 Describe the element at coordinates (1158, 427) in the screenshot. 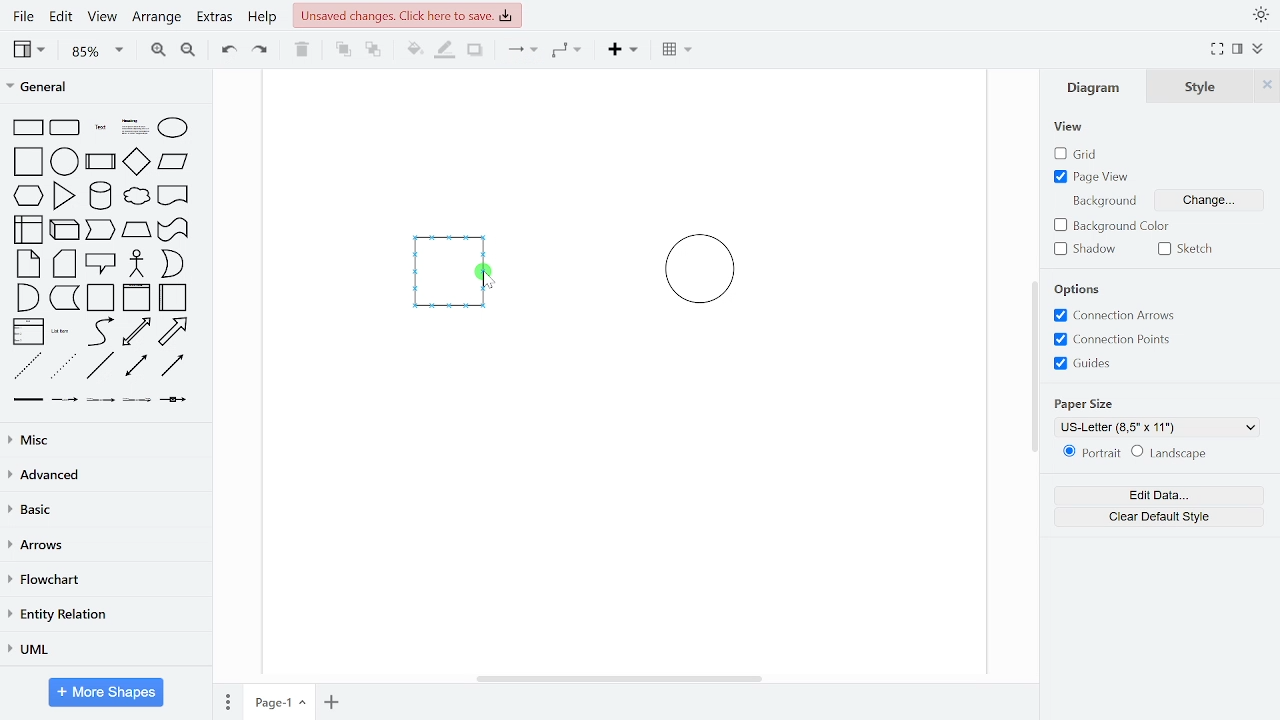

I see `current paper size` at that location.